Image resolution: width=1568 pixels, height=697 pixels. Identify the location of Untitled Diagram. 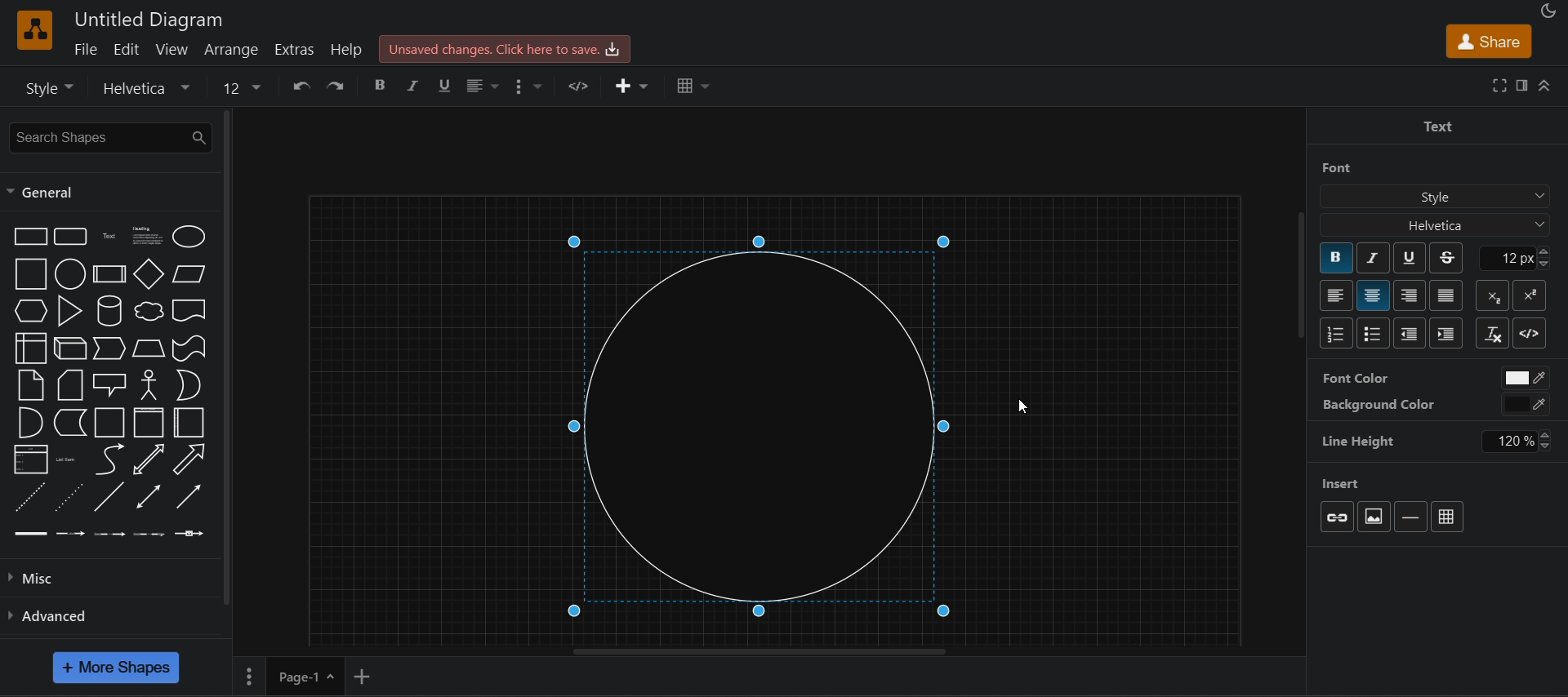
(150, 18).